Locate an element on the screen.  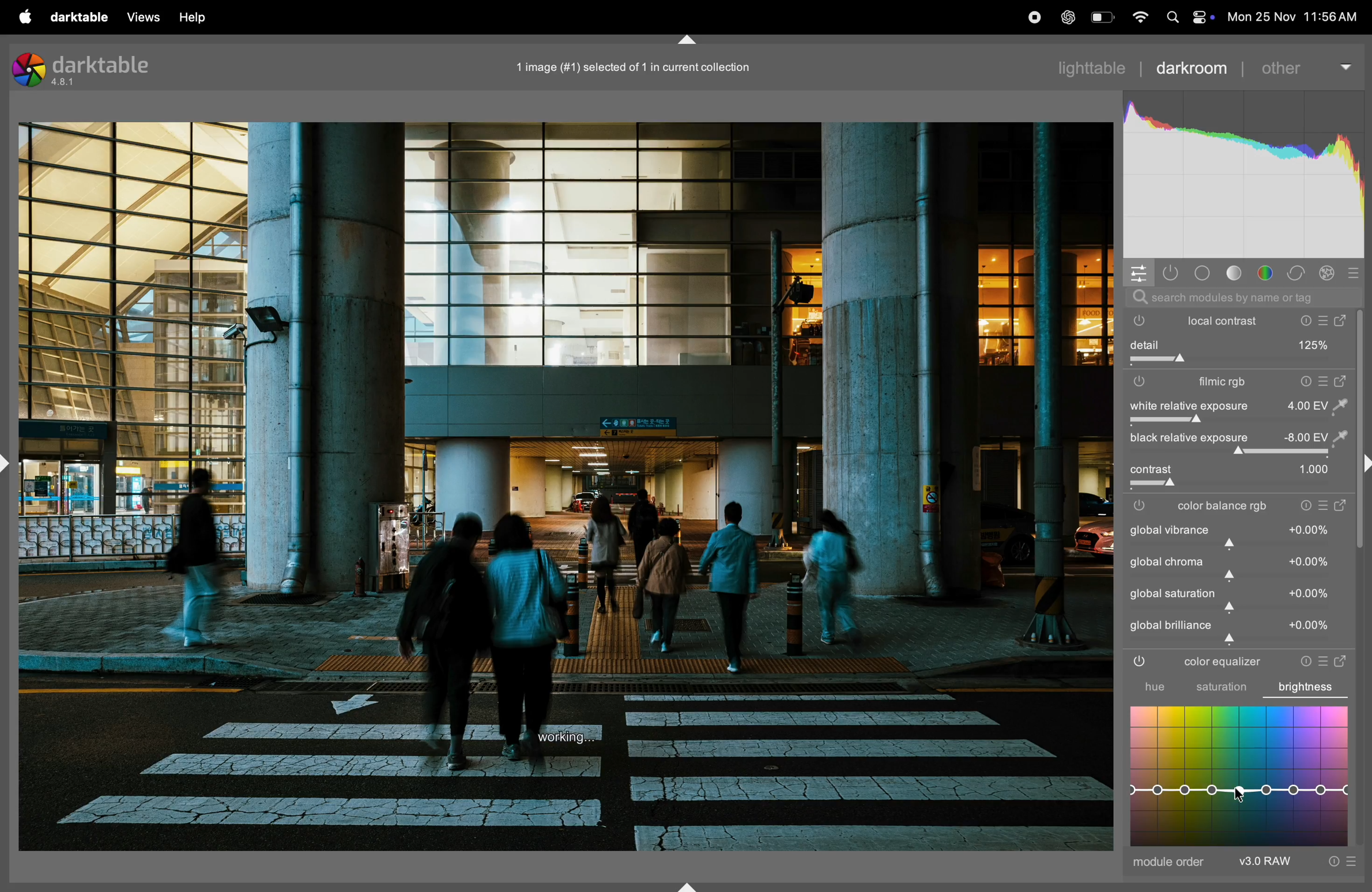
presets is located at coordinates (1325, 659).